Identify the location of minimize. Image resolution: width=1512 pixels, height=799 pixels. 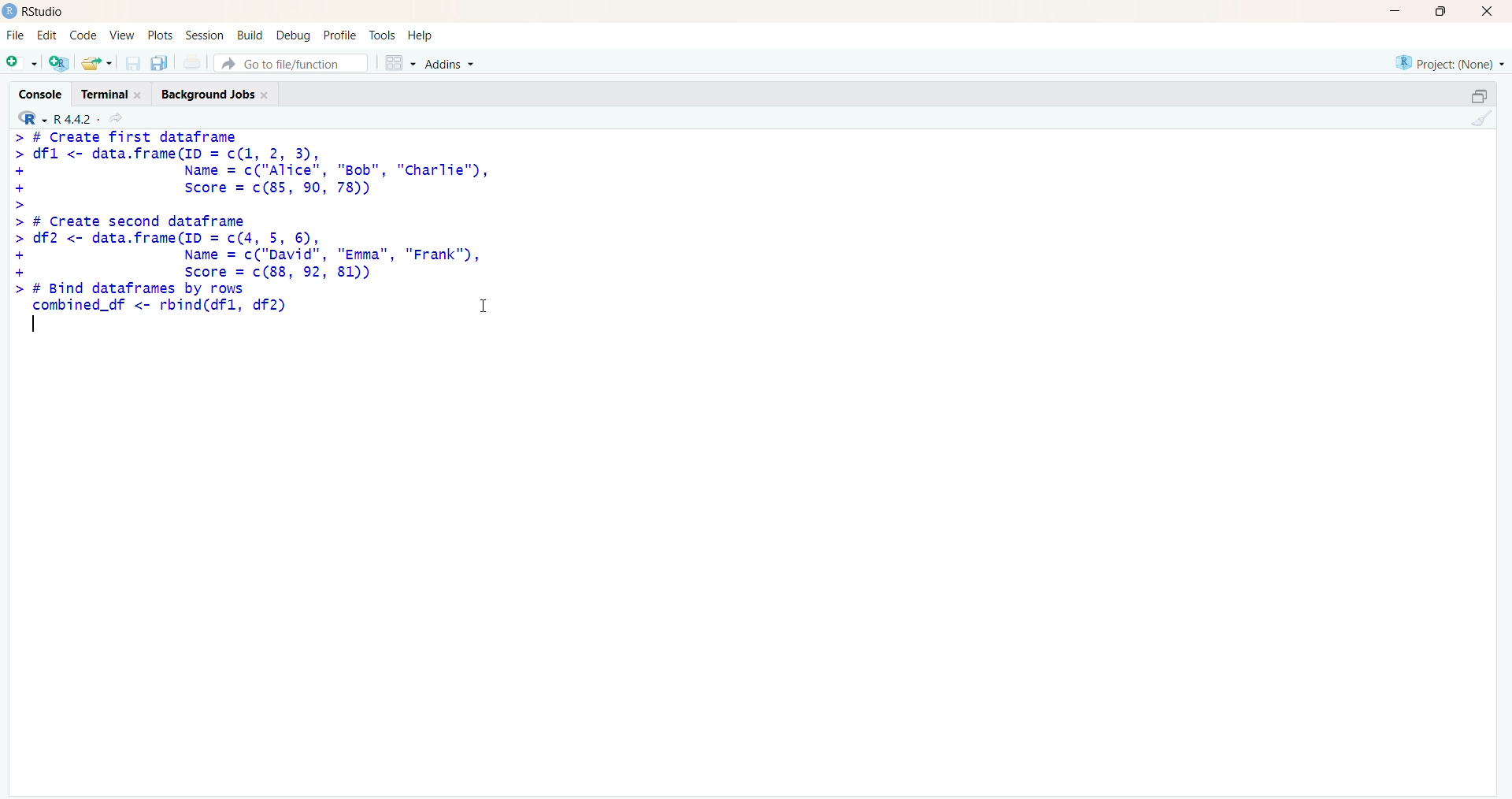
(1480, 96).